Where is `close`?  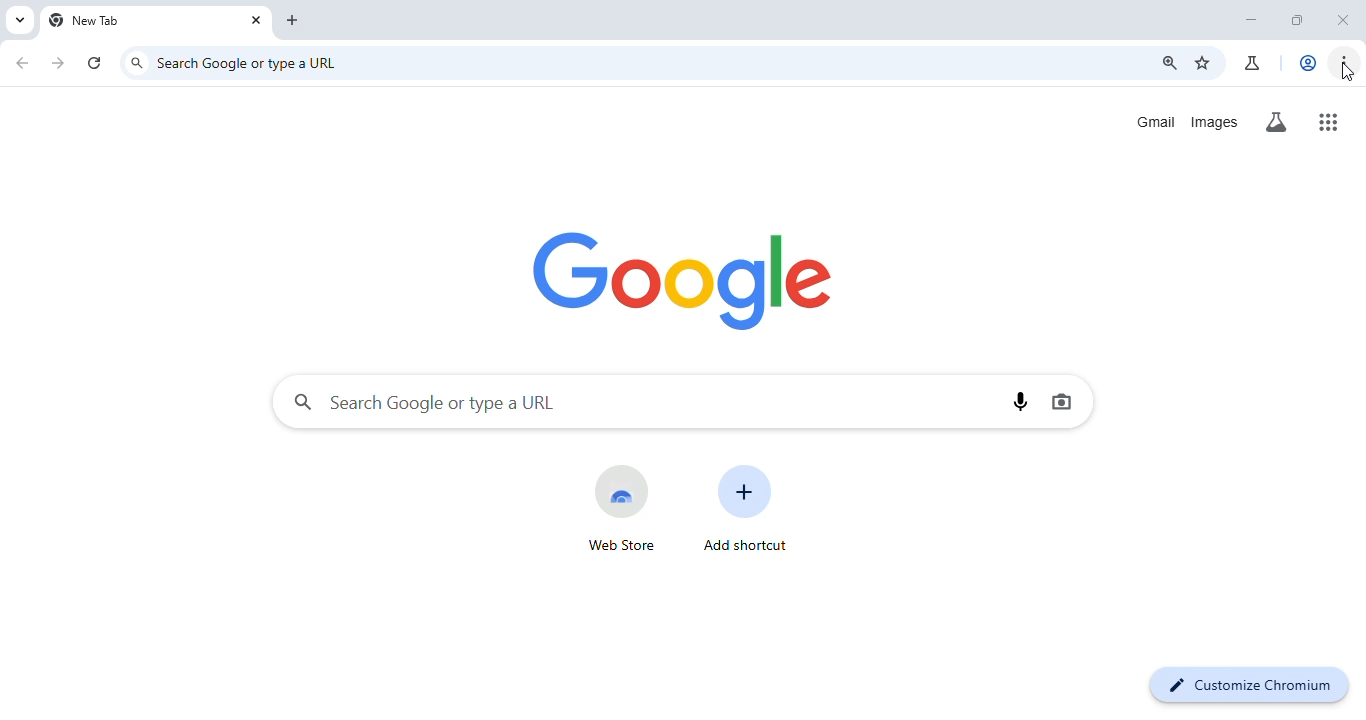
close is located at coordinates (256, 20).